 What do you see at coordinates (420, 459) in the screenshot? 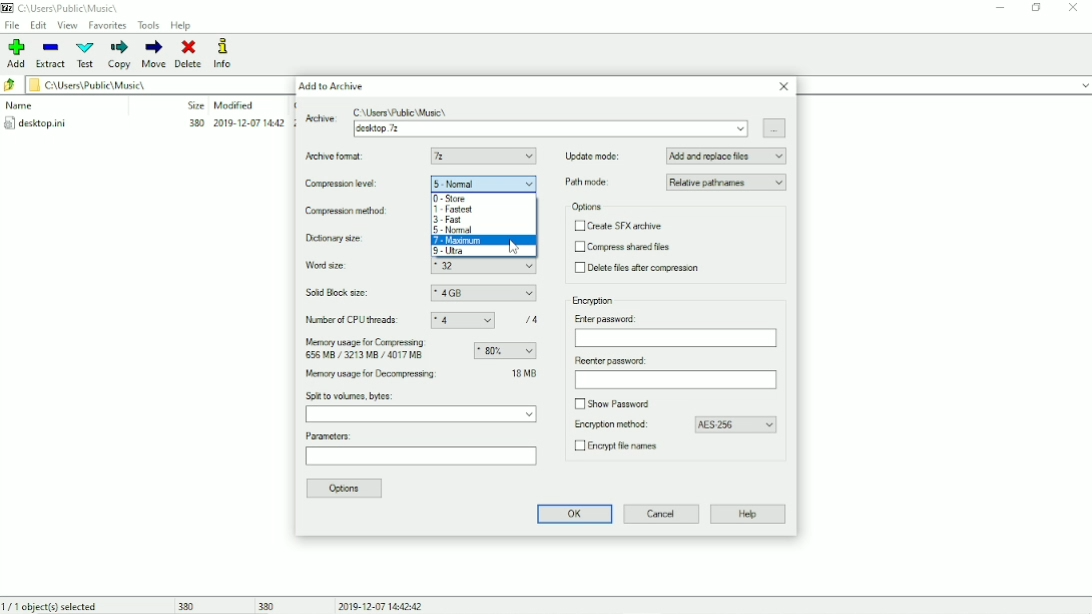
I see `Parameters` at bounding box center [420, 459].